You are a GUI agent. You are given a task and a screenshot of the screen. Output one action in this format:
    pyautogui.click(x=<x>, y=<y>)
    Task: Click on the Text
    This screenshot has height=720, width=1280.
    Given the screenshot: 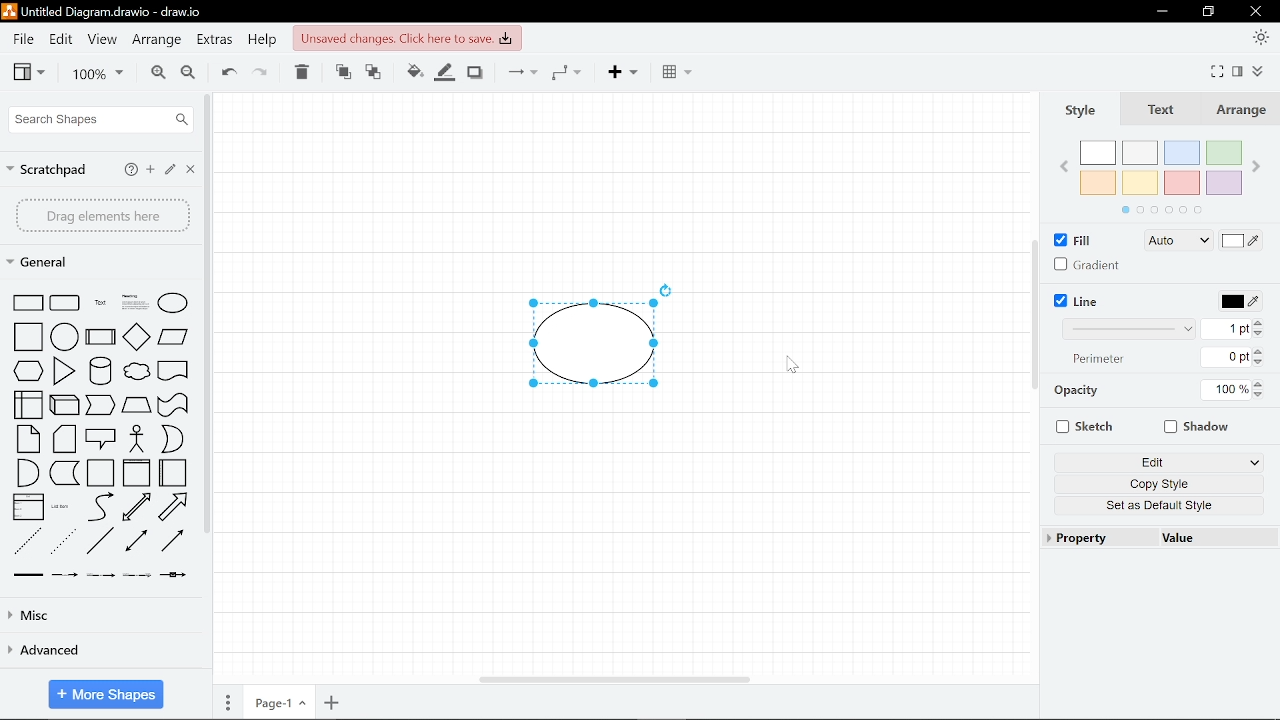 What is the action you would take?
    pyautogui.click(x=1158, y=111)
    